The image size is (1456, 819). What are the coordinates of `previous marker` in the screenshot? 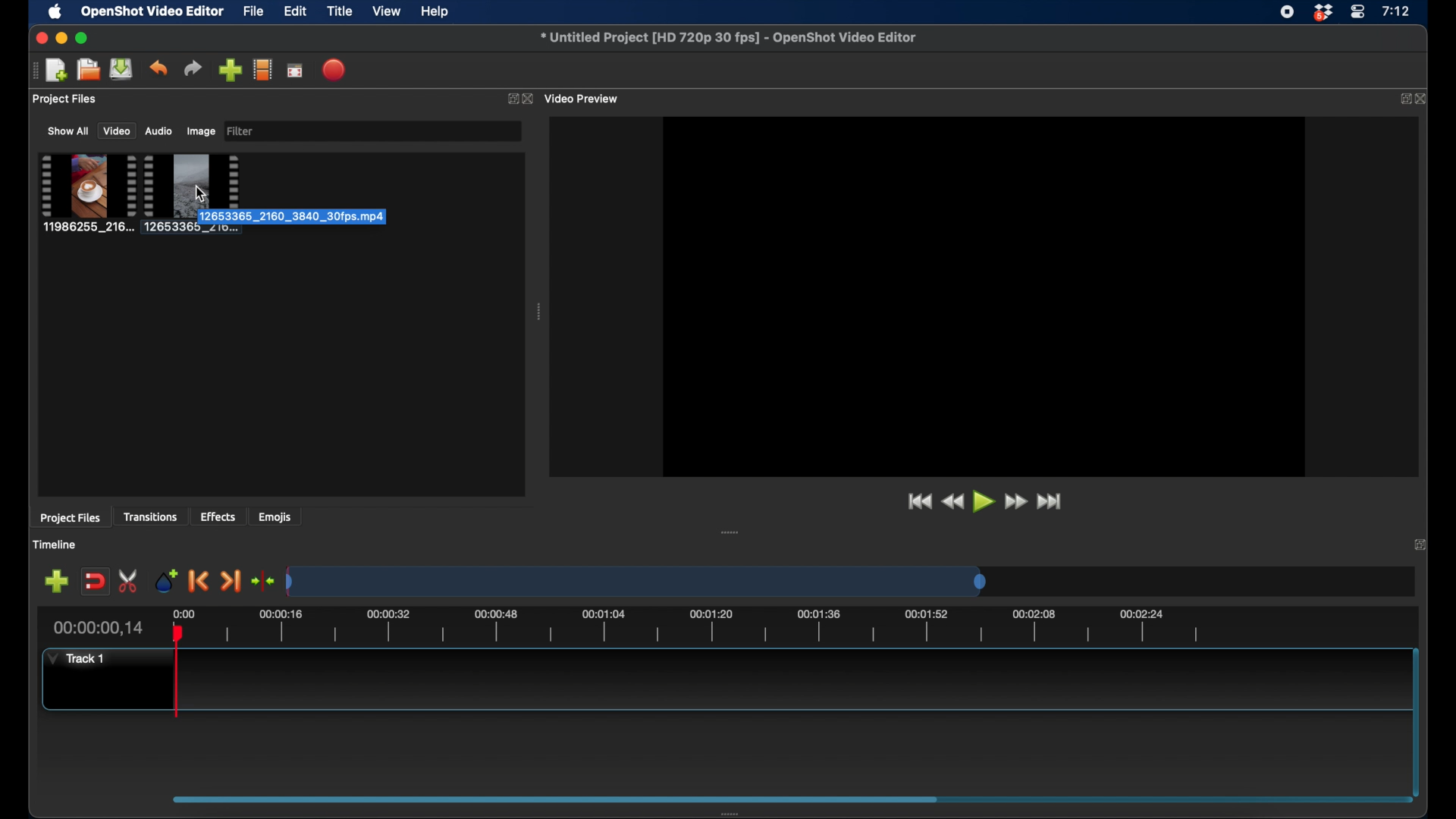 It's located at (199, 581).